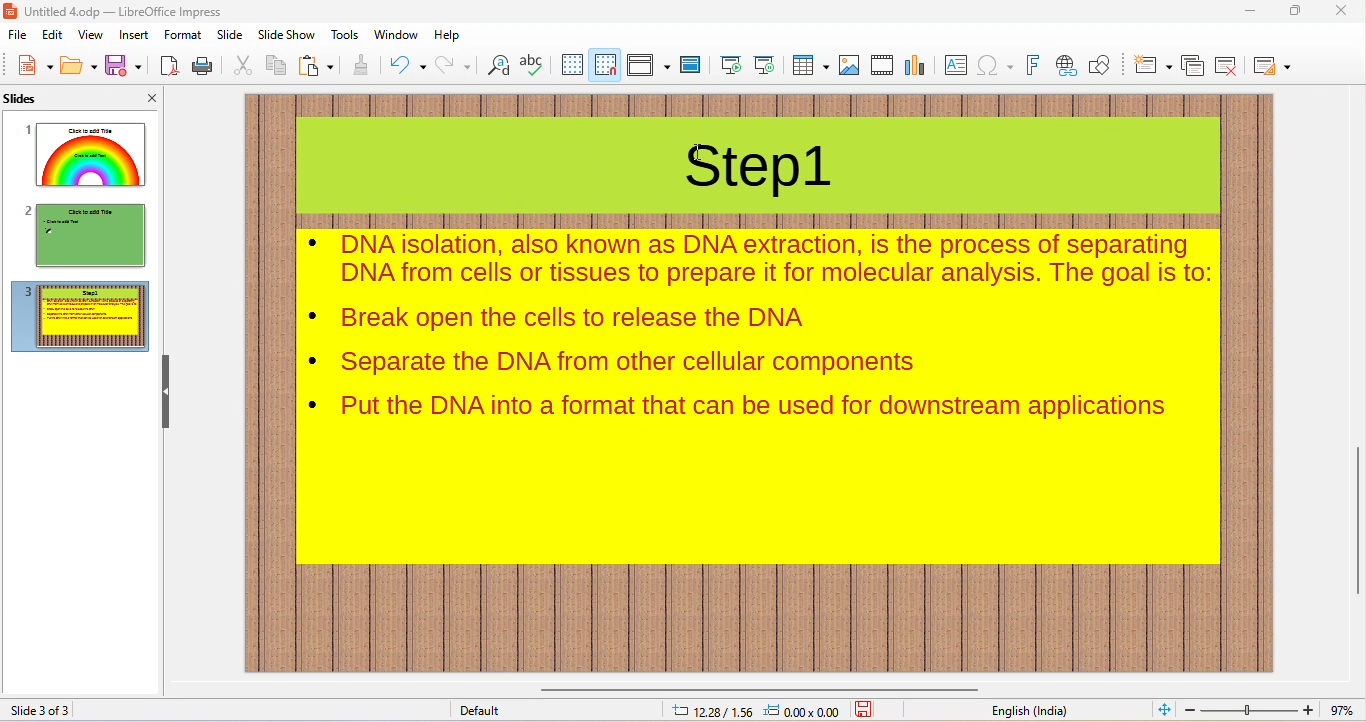 This screenshot has width=1366, height=722. Describe the element at coordinates (405, 65) in the screenshot. I see `undo` at that location.